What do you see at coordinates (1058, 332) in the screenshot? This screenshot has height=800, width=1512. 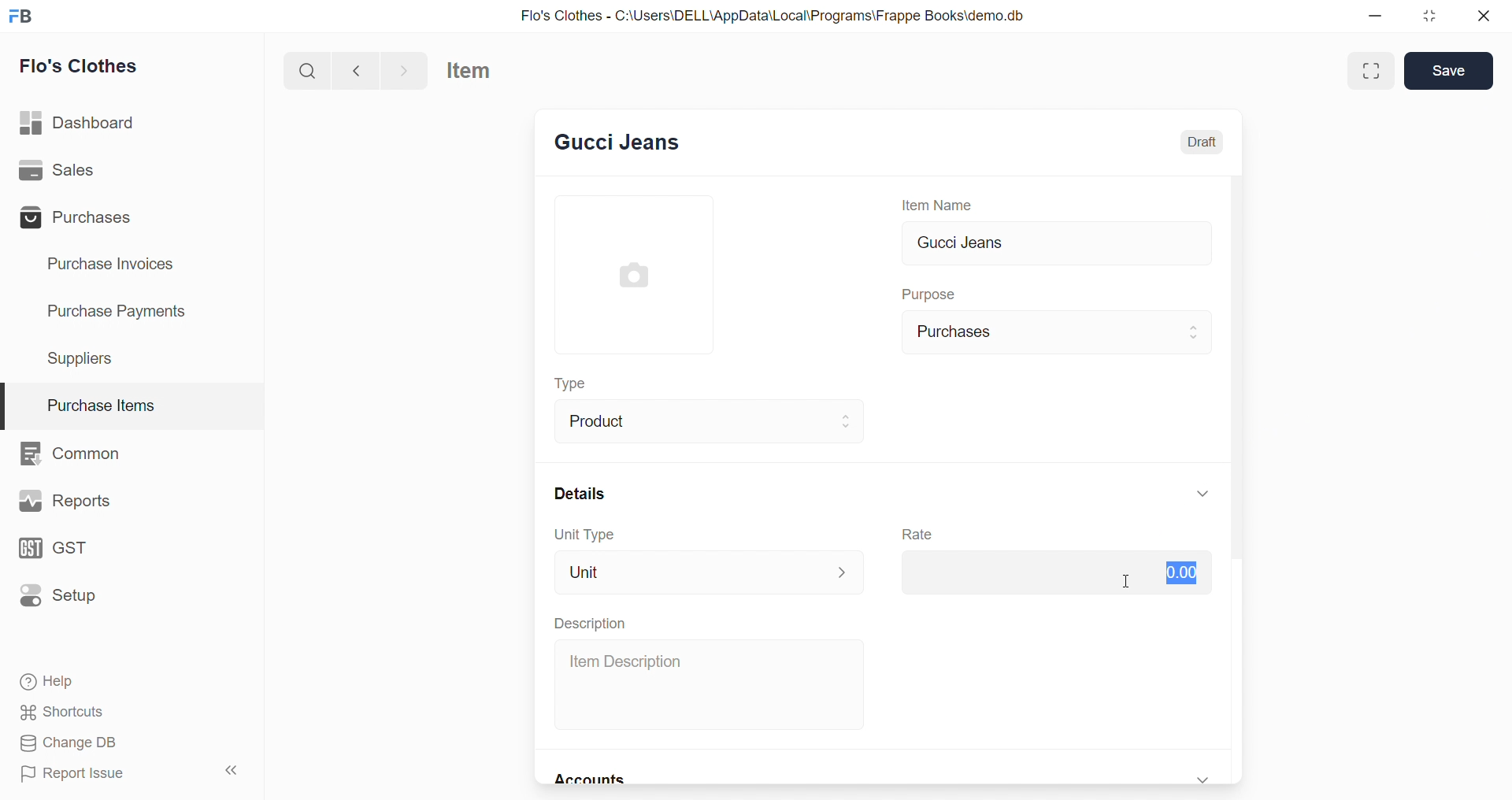 I see `Purchases` at bounding box center [1058, 332].